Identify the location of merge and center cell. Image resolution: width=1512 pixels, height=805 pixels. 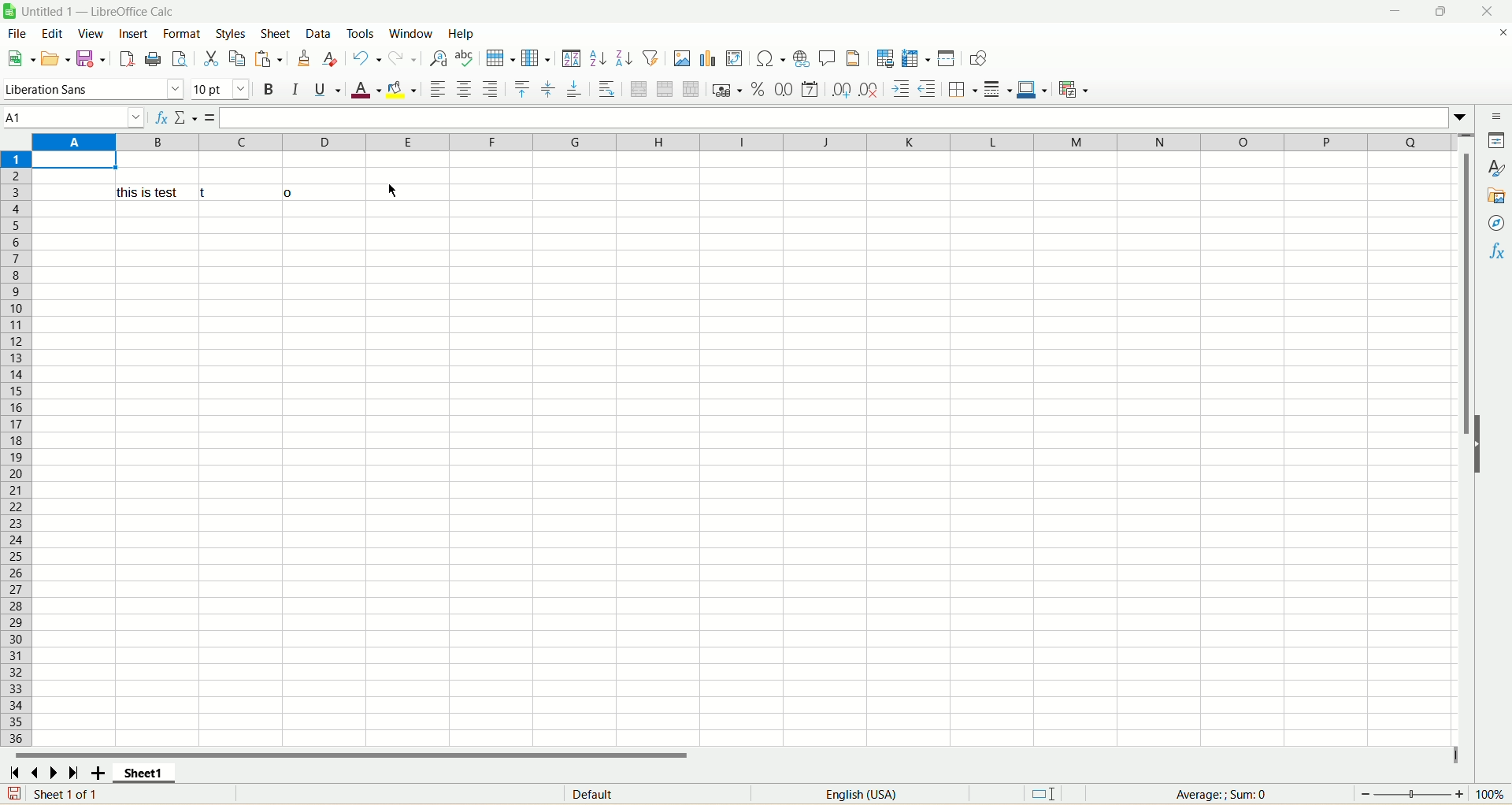
(641, 91).